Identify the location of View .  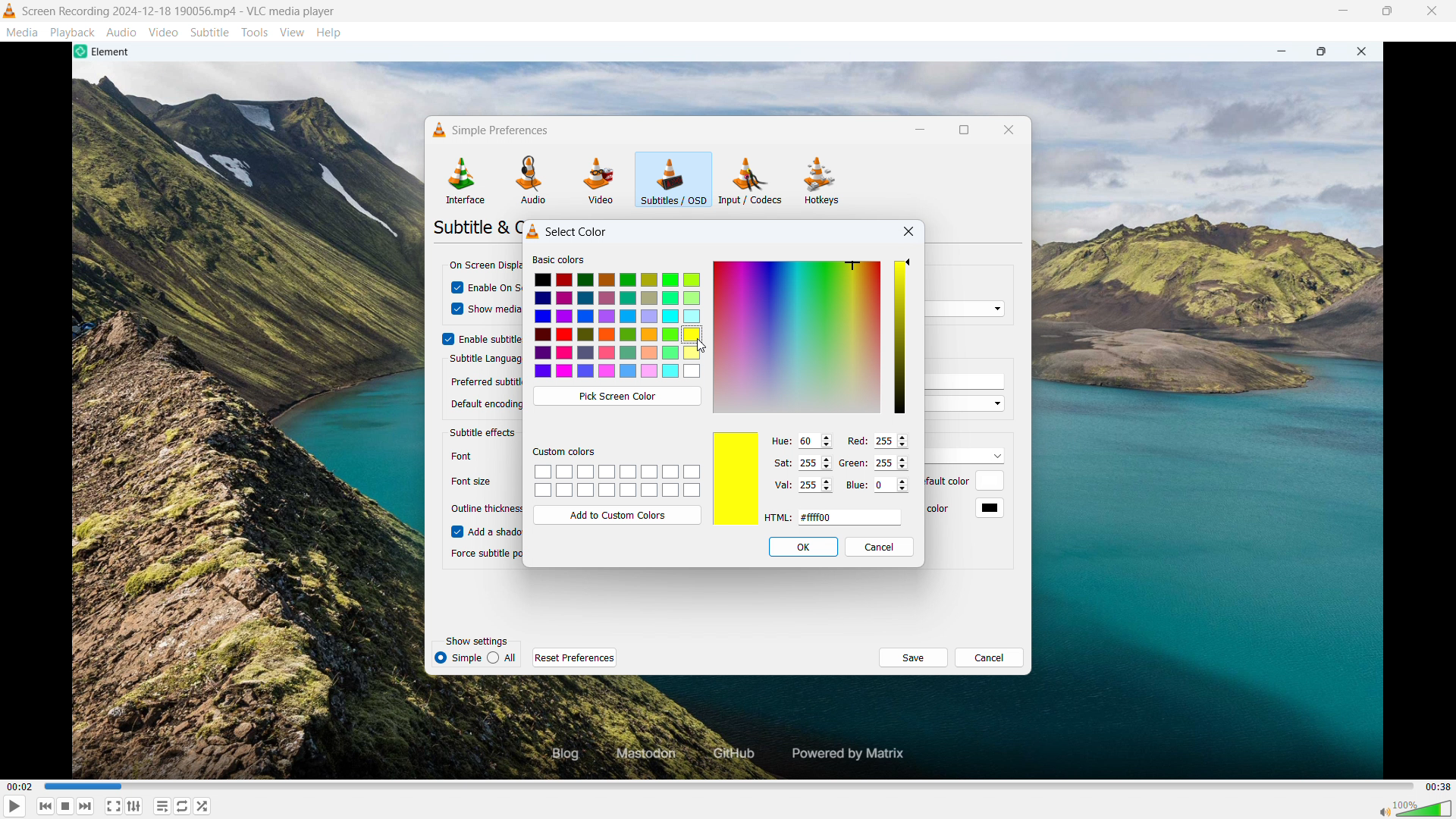
(293, 32).